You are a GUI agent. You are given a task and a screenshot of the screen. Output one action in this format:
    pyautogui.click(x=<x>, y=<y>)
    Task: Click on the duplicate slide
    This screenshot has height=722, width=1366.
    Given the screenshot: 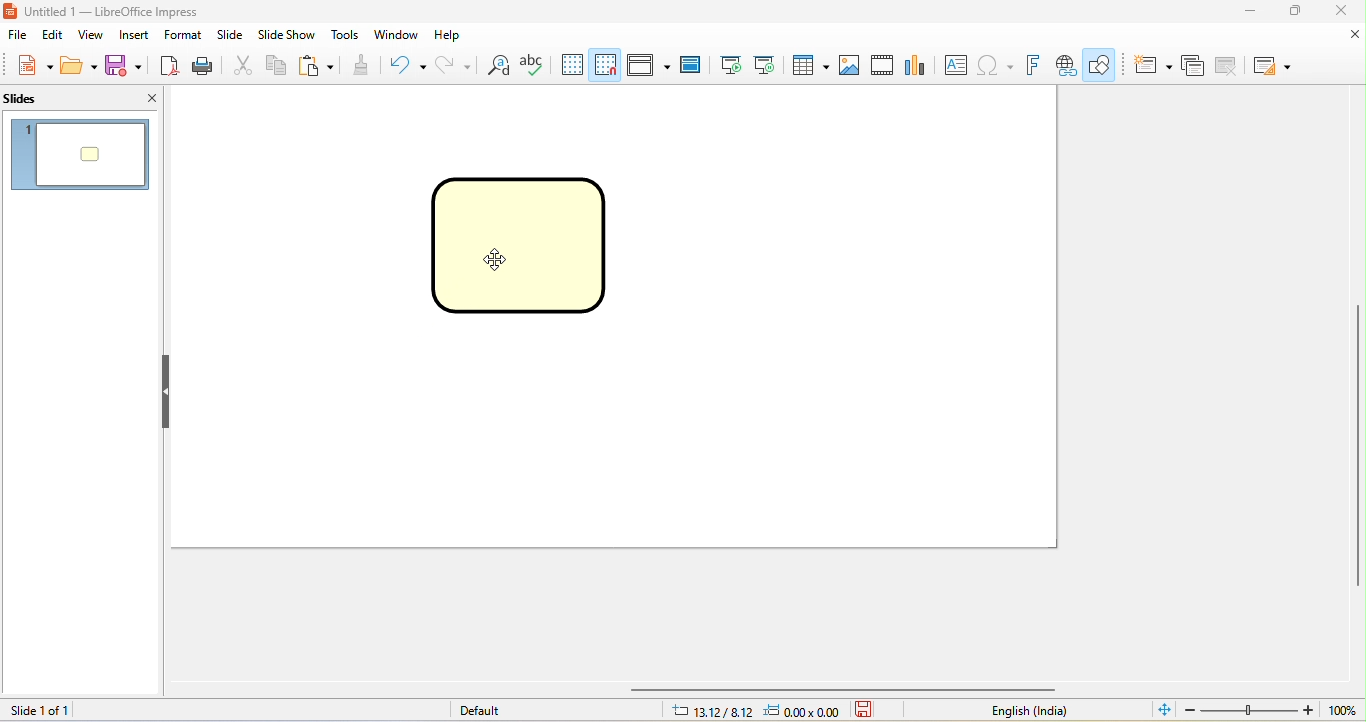 What is the action you would take?
    pyautogui.click(x=1195, y=65)
    